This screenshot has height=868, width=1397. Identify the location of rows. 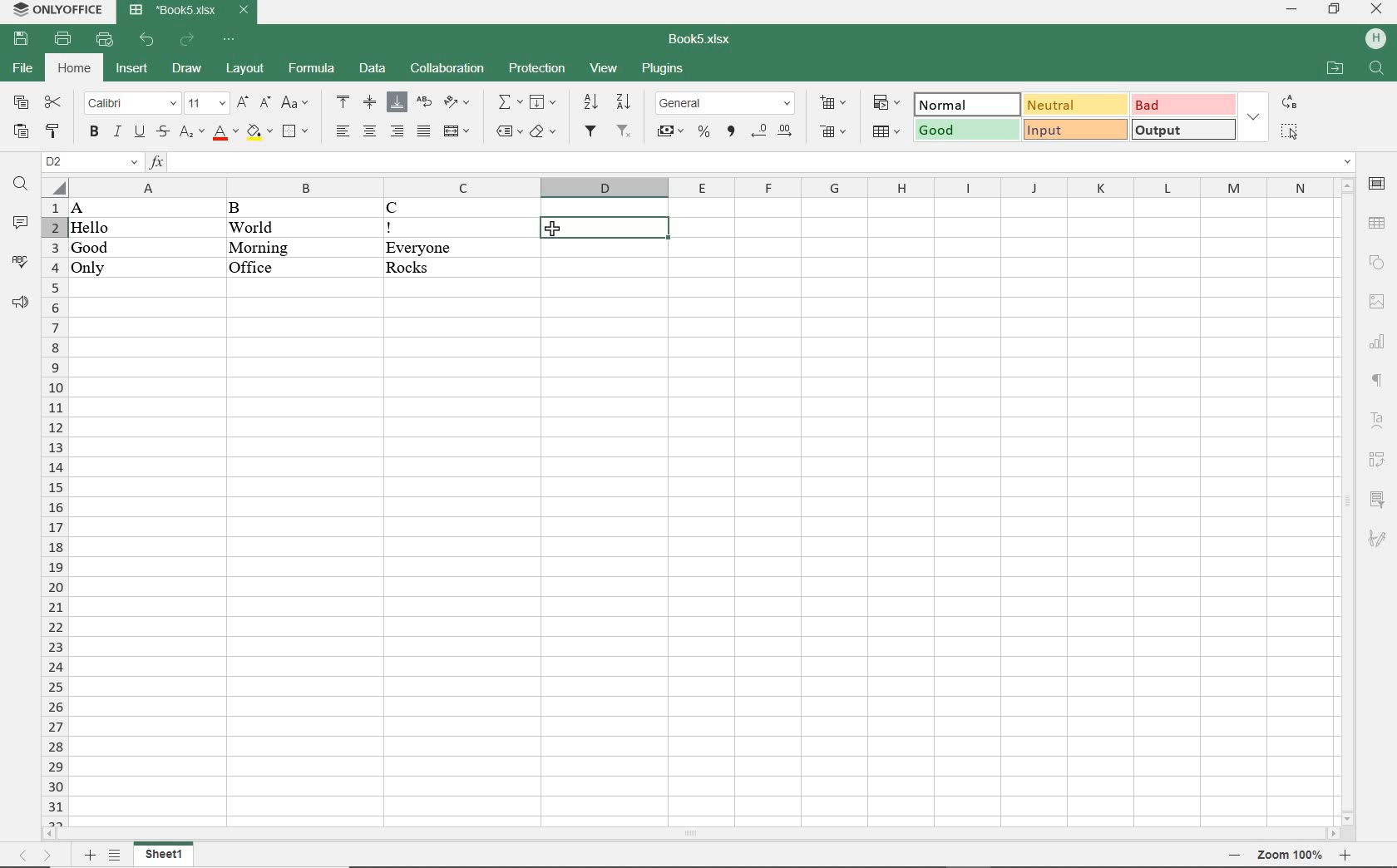
(52, 510).